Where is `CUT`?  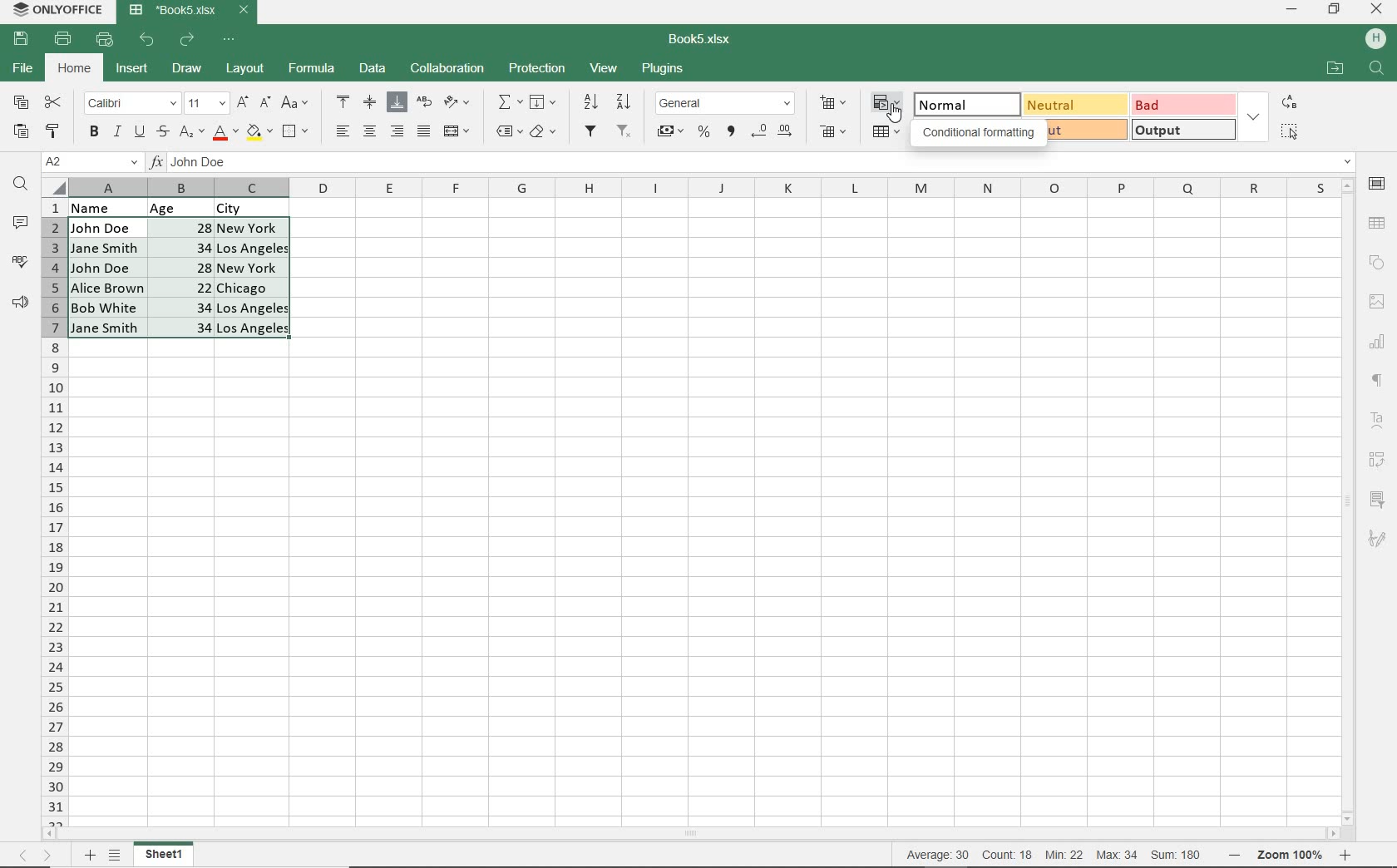 CUT is located at coordinates (54, 102).